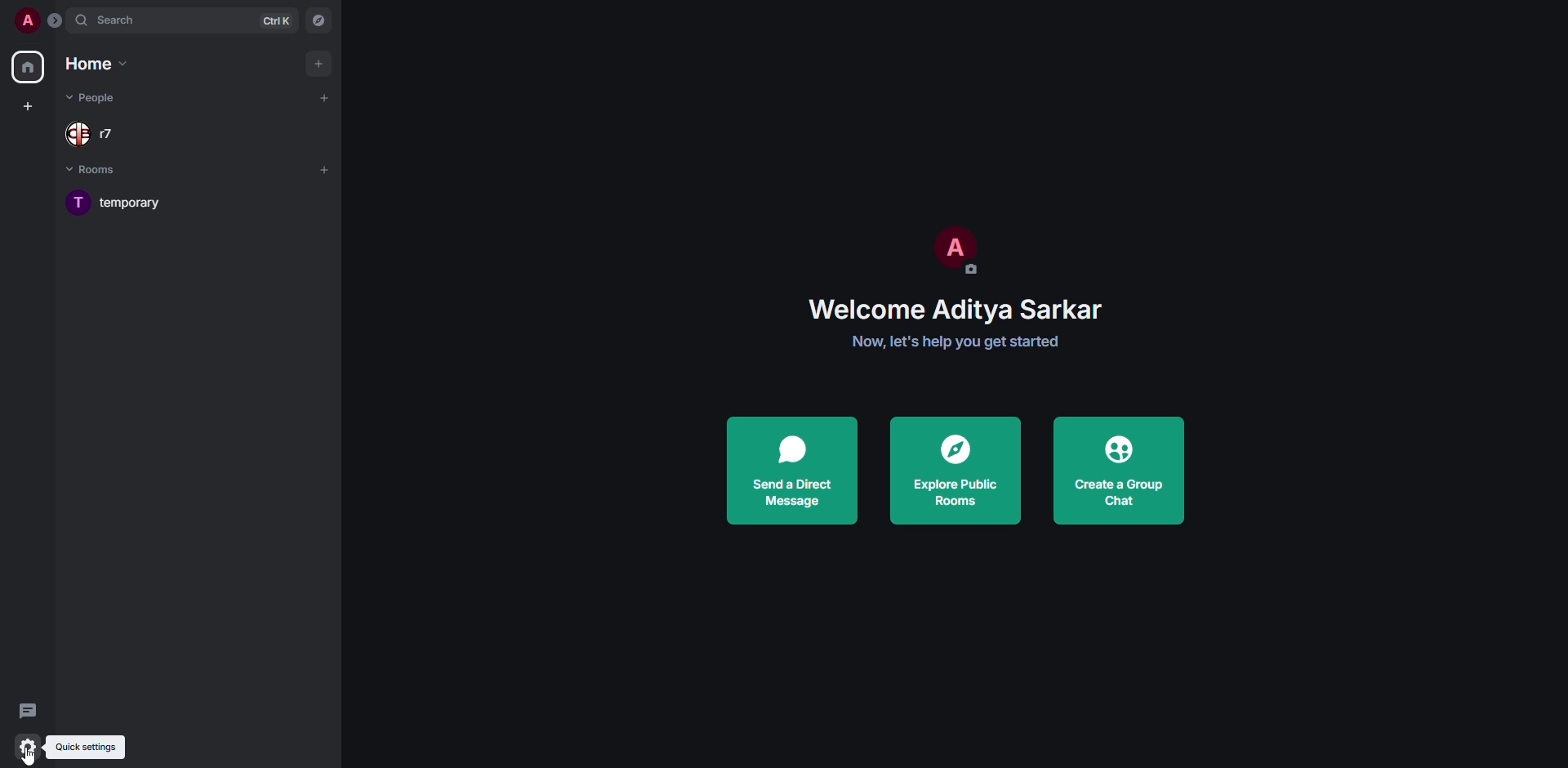  Describe the element at coordinates (31, 712) in the screenshot. I see `threads` at that location.